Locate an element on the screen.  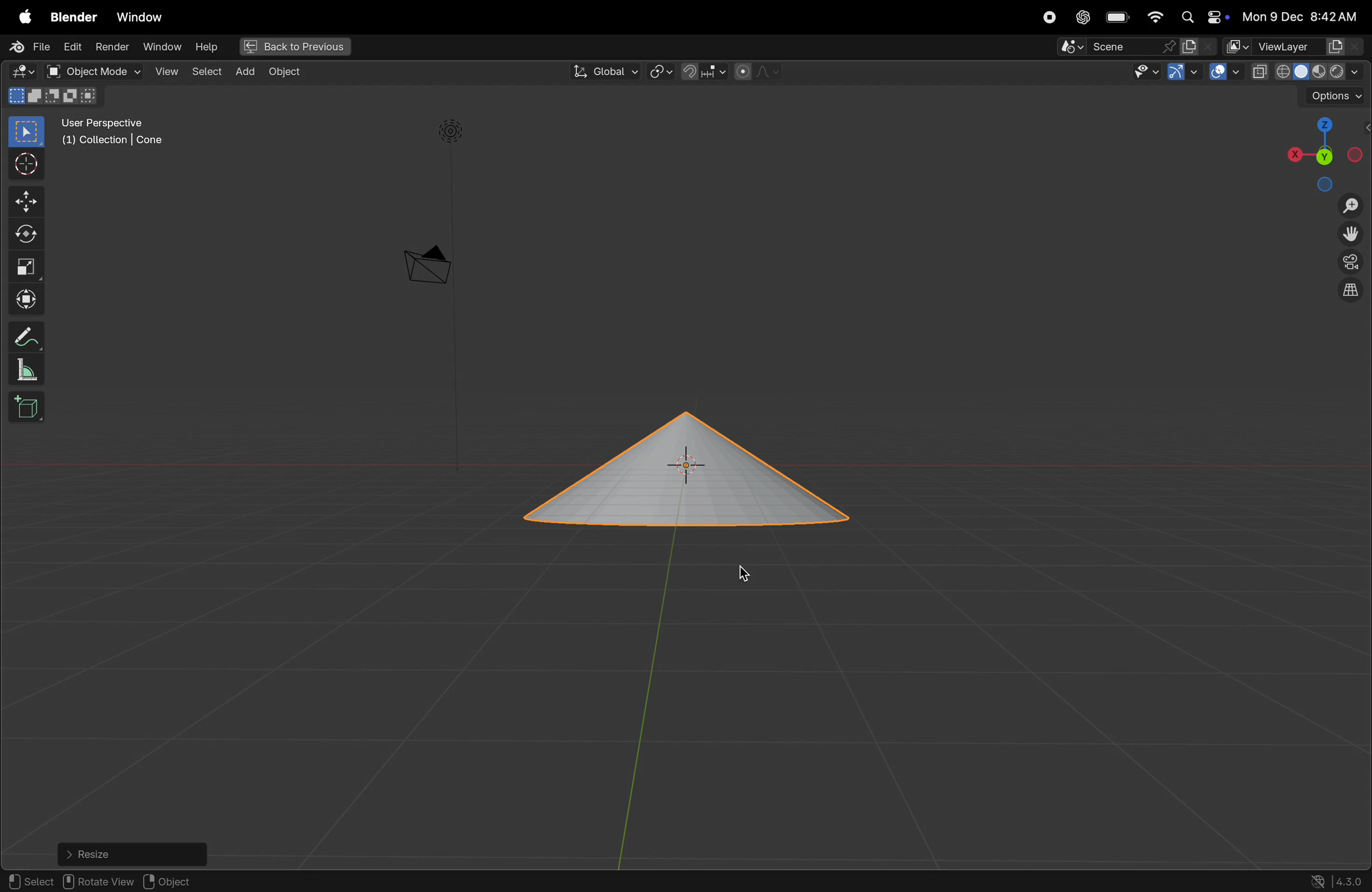
Edit is located at coordinates (72, 48).